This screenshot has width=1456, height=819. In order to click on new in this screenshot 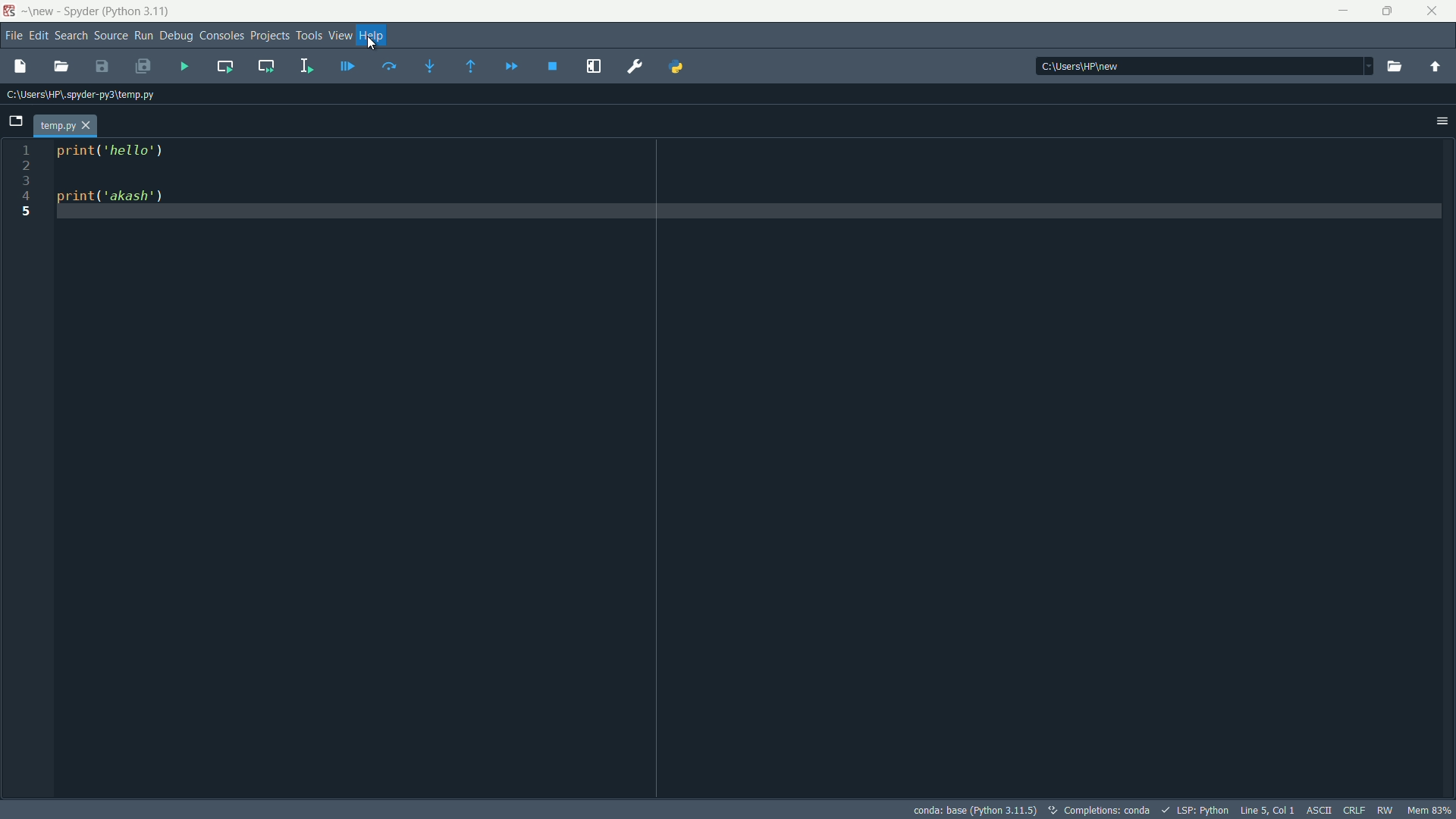, I will do `click(42, 12)`.